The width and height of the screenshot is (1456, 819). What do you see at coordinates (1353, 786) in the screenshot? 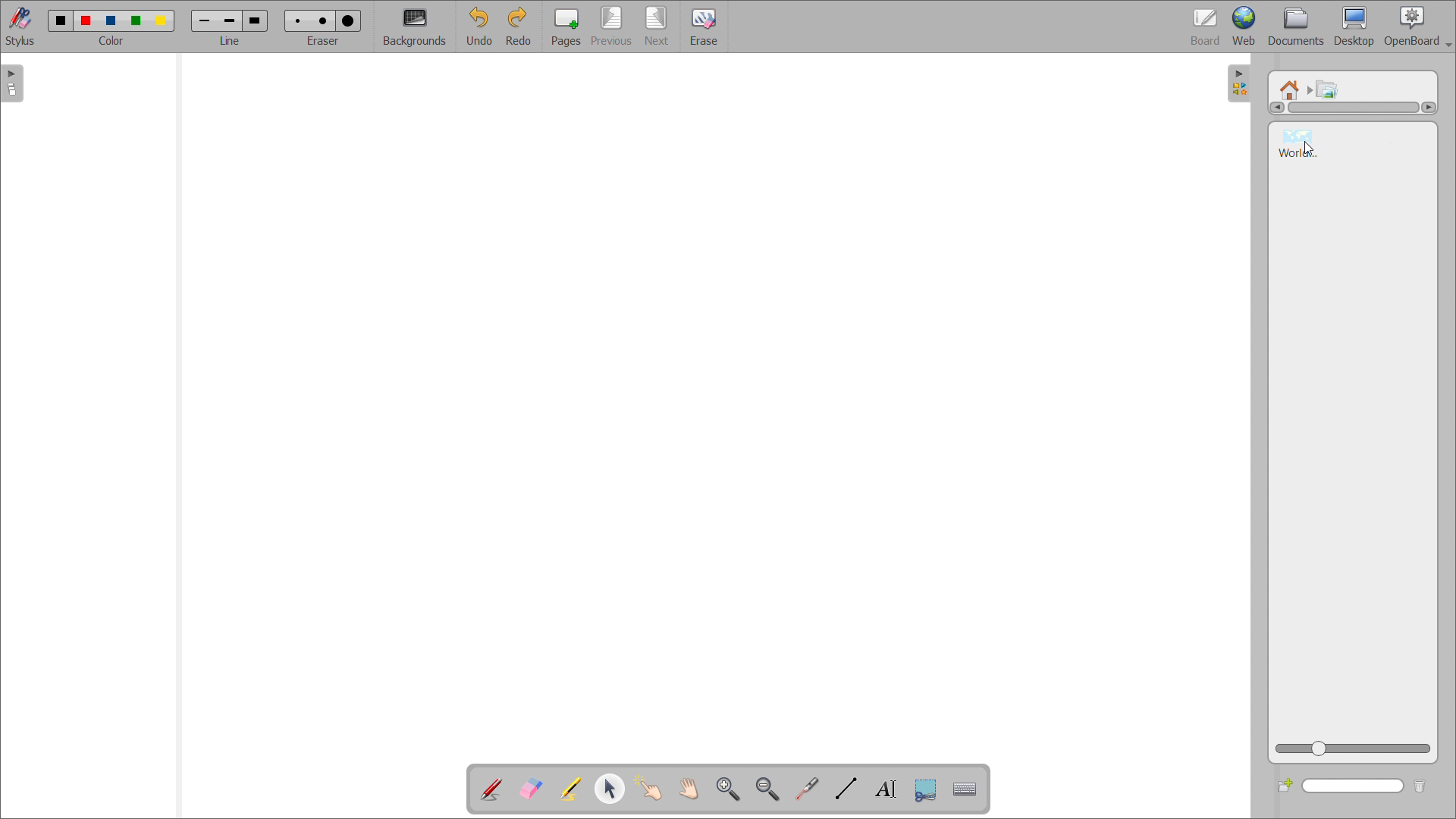
I see `search` at bounding box center [1353, 786].